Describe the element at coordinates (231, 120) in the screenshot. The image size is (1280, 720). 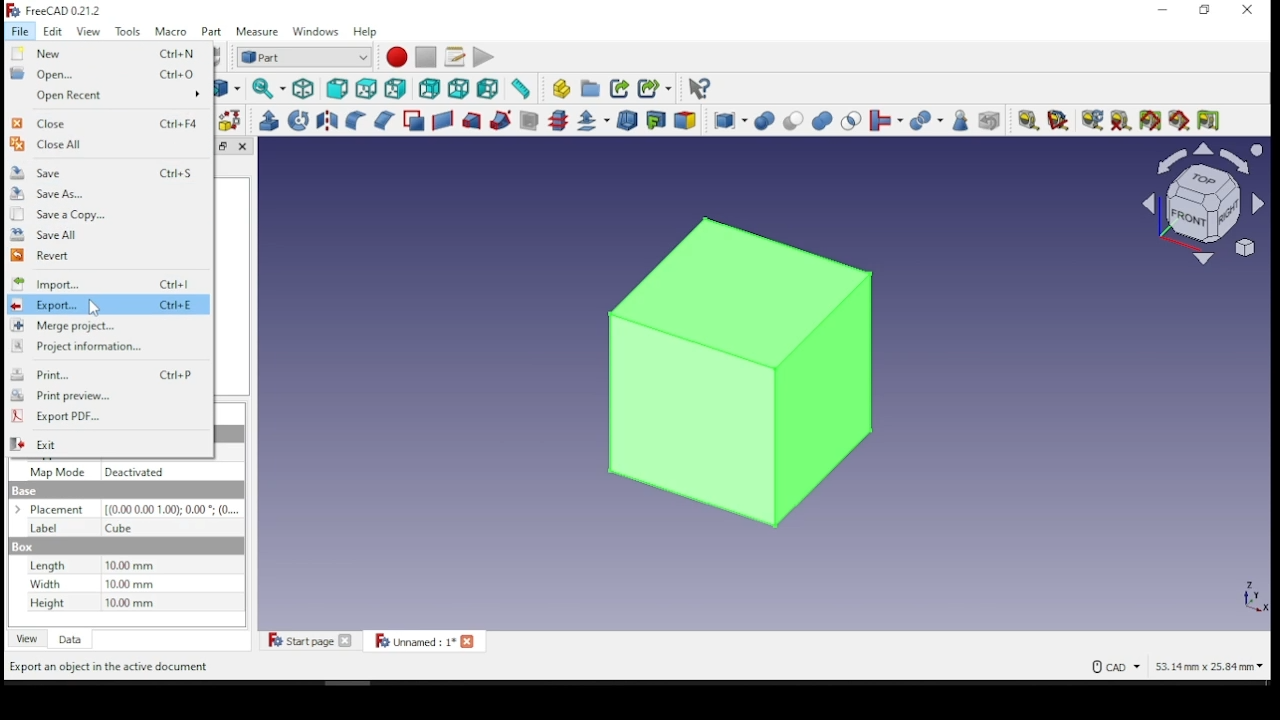
I see `shape builder` at that location.